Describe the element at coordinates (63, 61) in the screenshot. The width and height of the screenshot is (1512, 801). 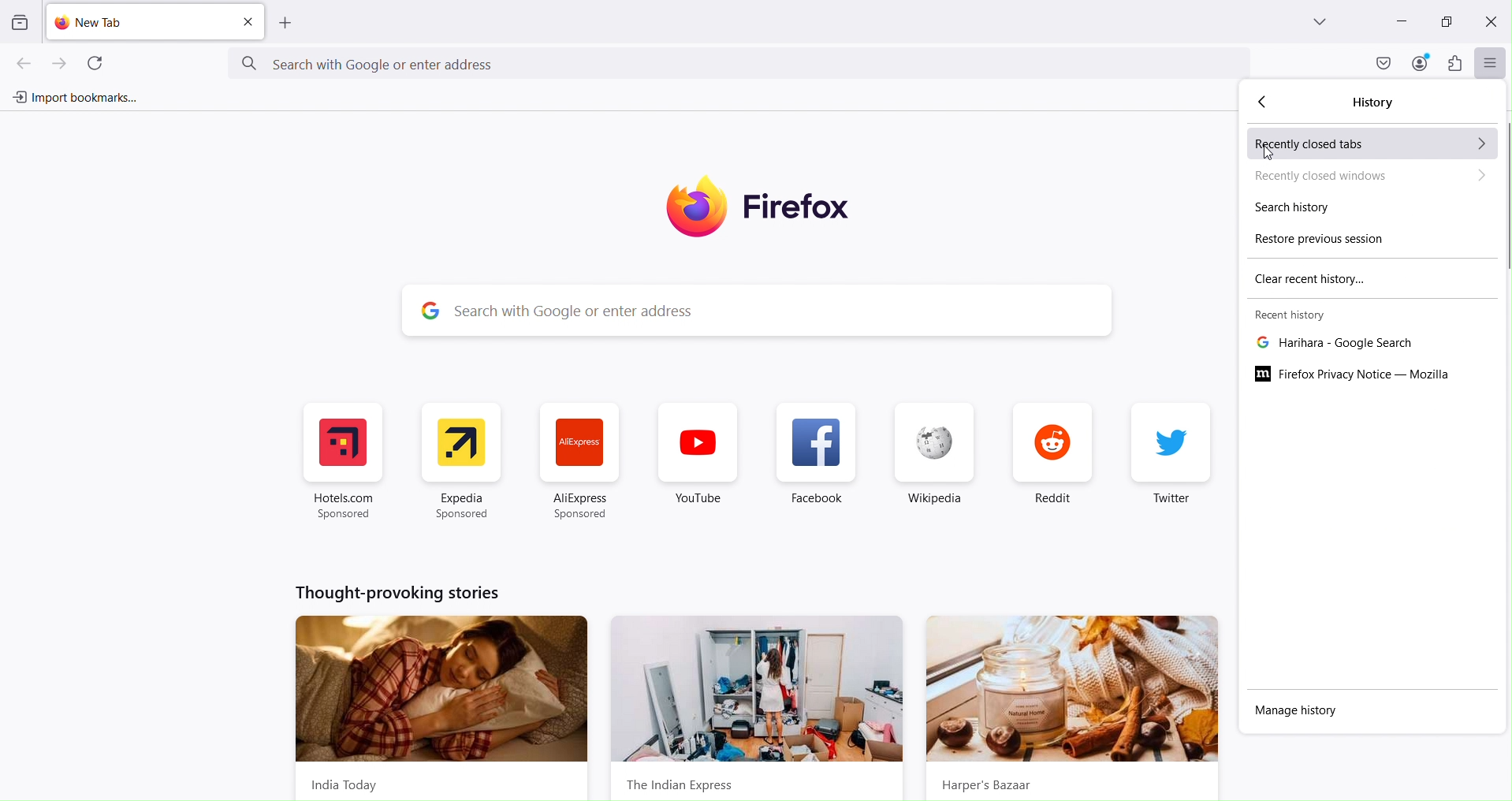
I see `Go forward one page ` at that location.